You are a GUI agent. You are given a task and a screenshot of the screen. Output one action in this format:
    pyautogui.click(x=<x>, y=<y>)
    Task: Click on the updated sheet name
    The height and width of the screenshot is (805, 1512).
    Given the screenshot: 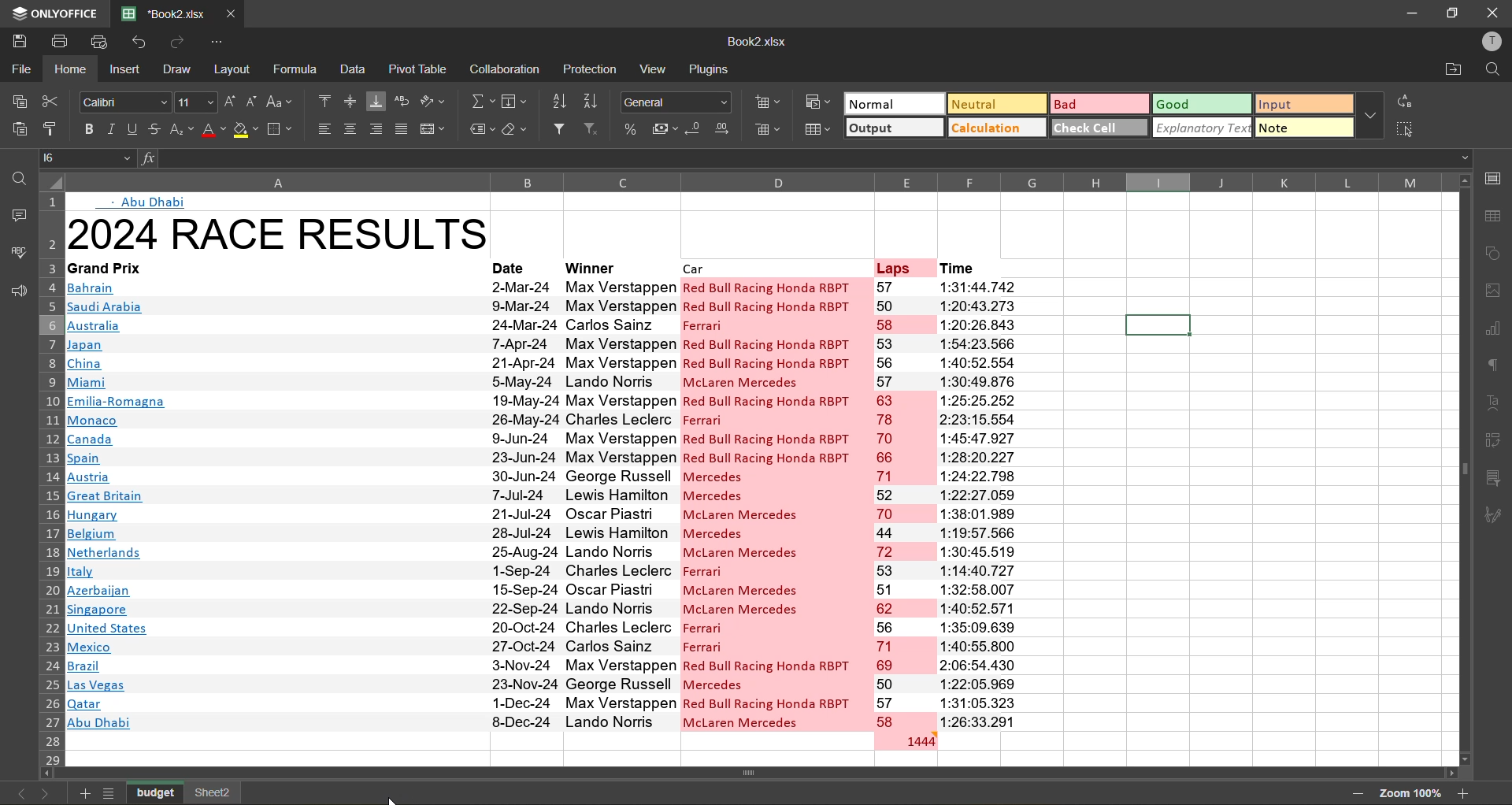 What is the action you would take?
    pyautogui.click(x=156, y=792)
    